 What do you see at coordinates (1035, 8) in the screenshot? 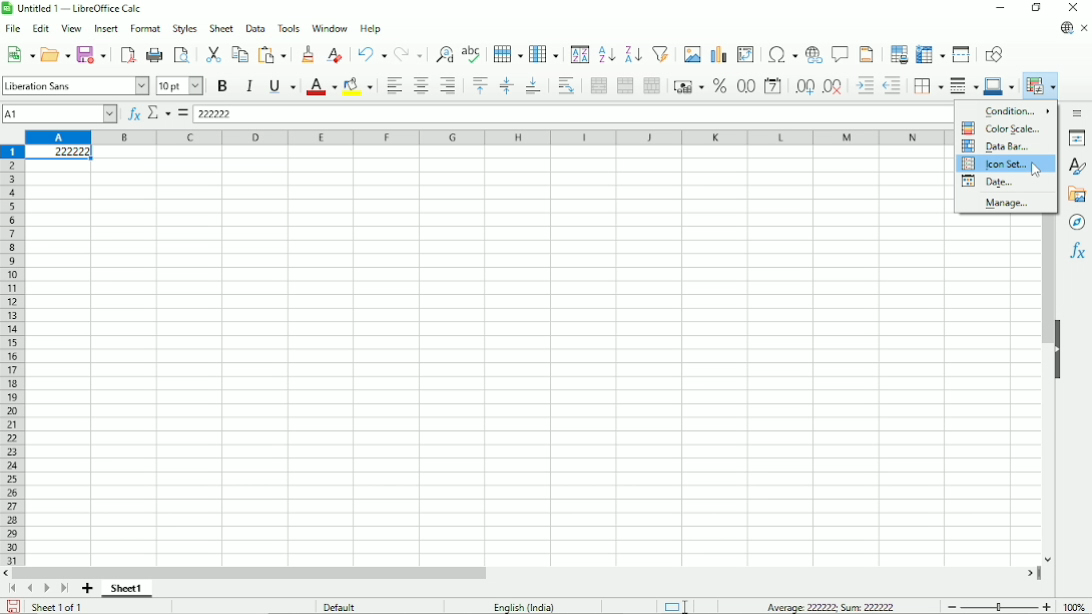
I see `Restore down` at bounding box center [1035, 8].